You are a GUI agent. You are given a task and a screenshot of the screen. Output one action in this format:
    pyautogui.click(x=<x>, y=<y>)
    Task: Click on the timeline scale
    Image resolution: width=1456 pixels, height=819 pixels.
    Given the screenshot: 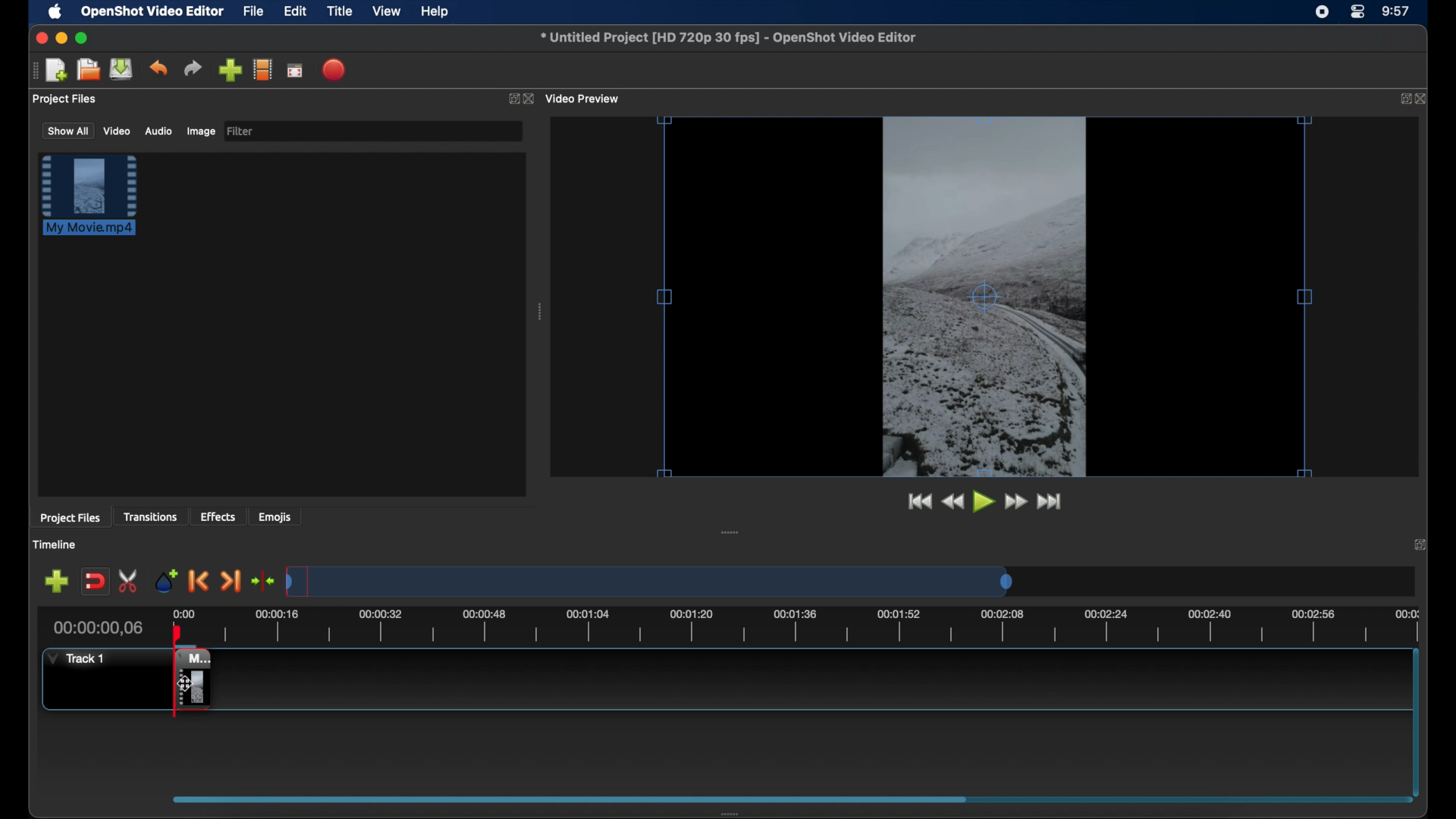 What is the action you would take?
    pyautogui.click(x=649, y=581)
    